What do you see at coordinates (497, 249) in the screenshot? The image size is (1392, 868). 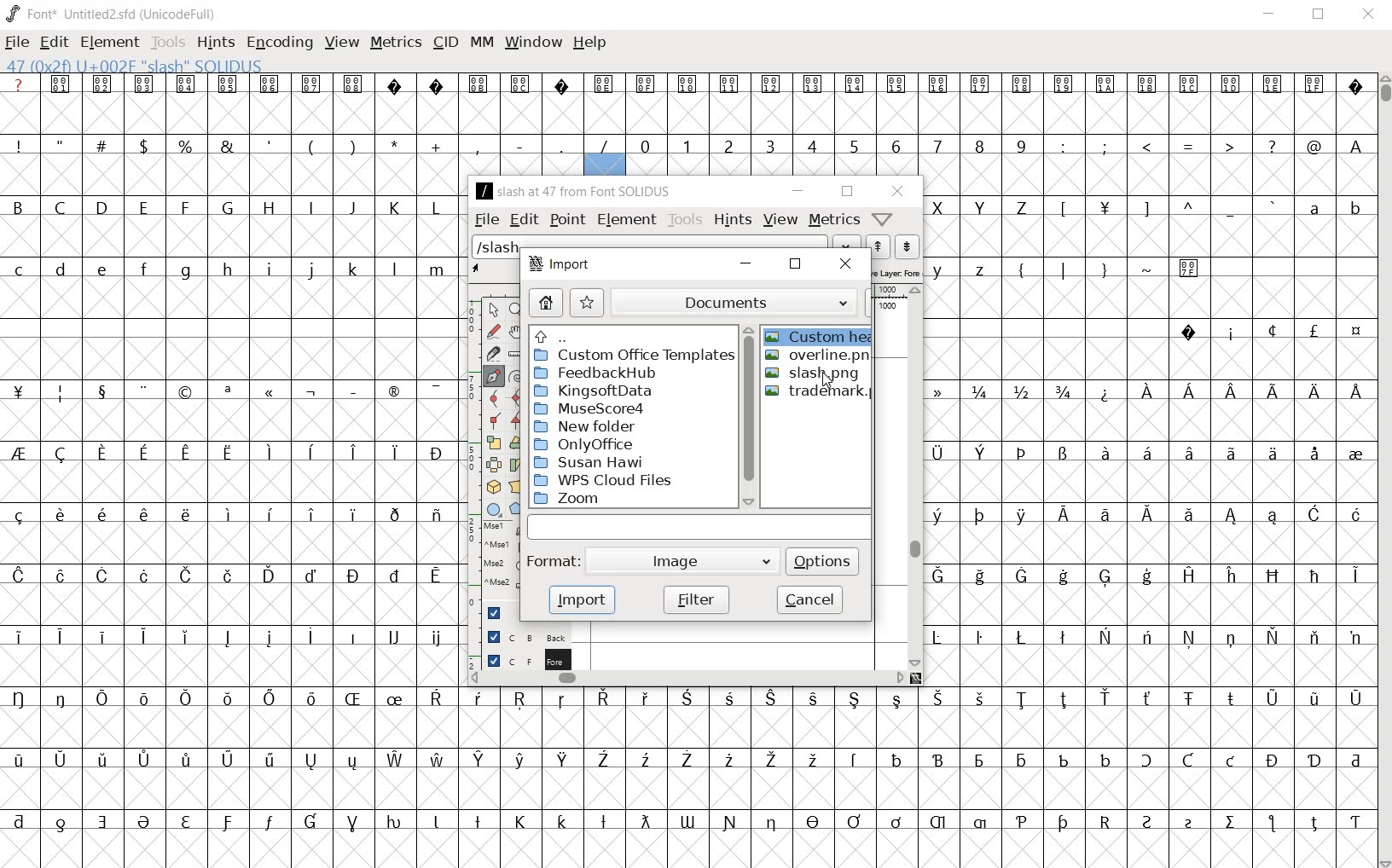 I see `slash` at bounding box center [497, 249].